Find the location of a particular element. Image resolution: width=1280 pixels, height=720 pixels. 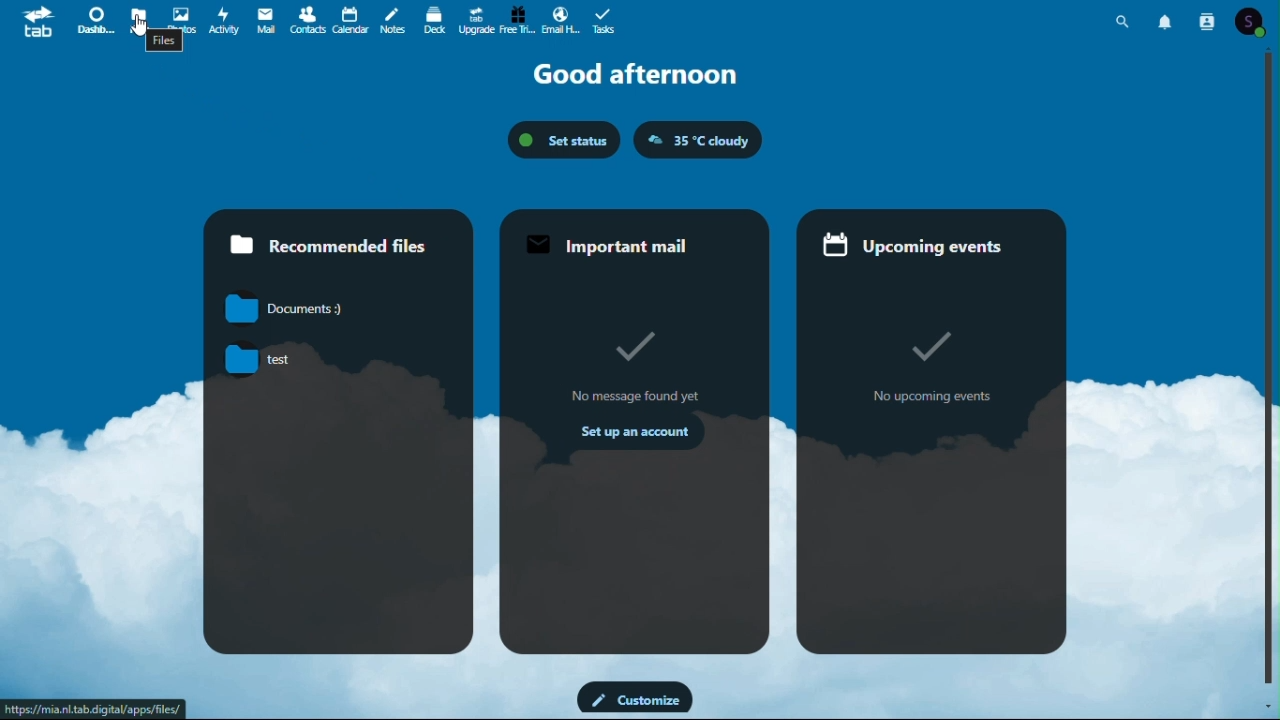

Activity is located at coordinates (225, 20).